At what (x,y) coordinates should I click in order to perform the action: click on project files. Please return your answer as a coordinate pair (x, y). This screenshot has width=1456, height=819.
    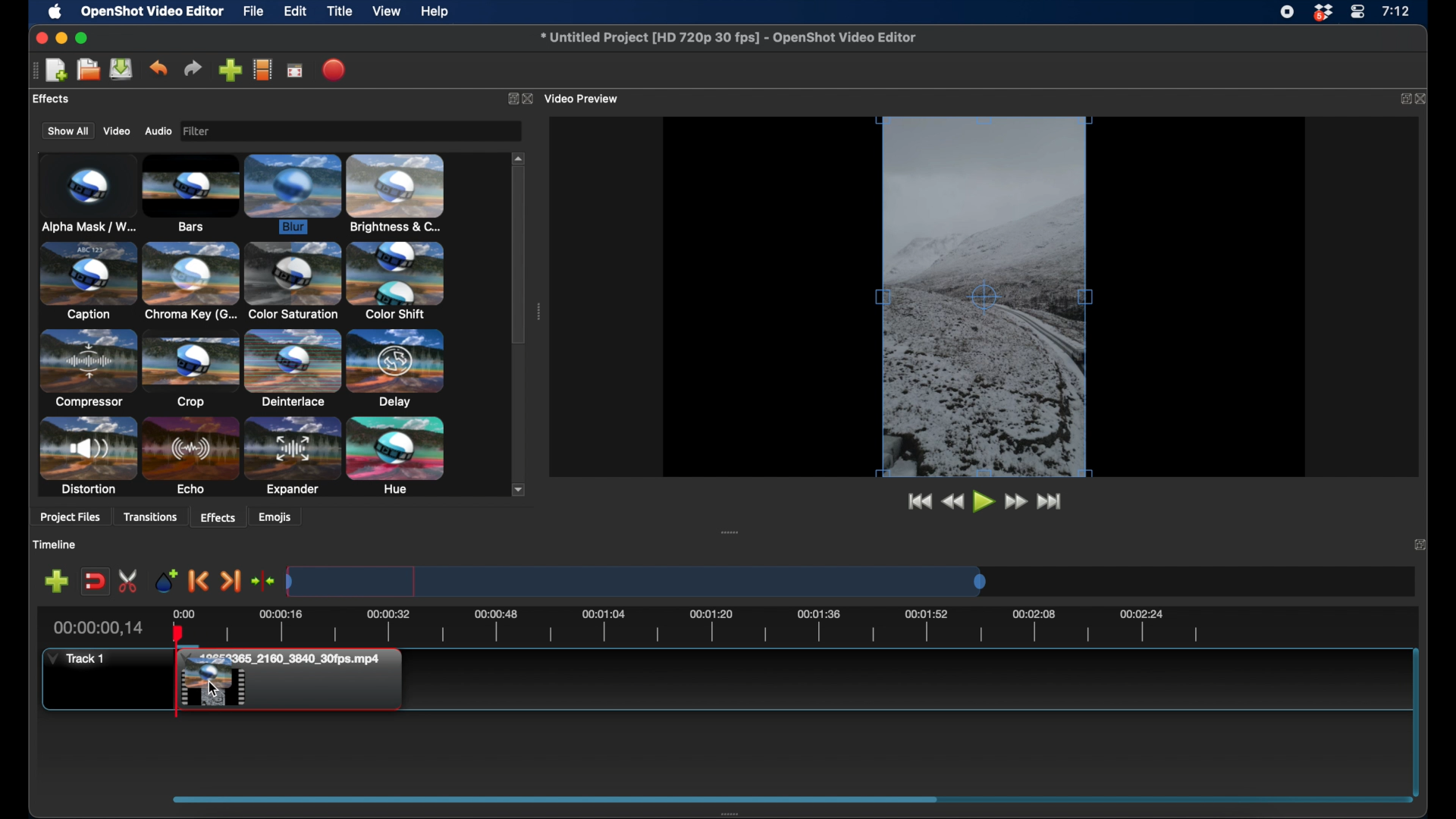
    Looking at the image, I should click on (64, 99).